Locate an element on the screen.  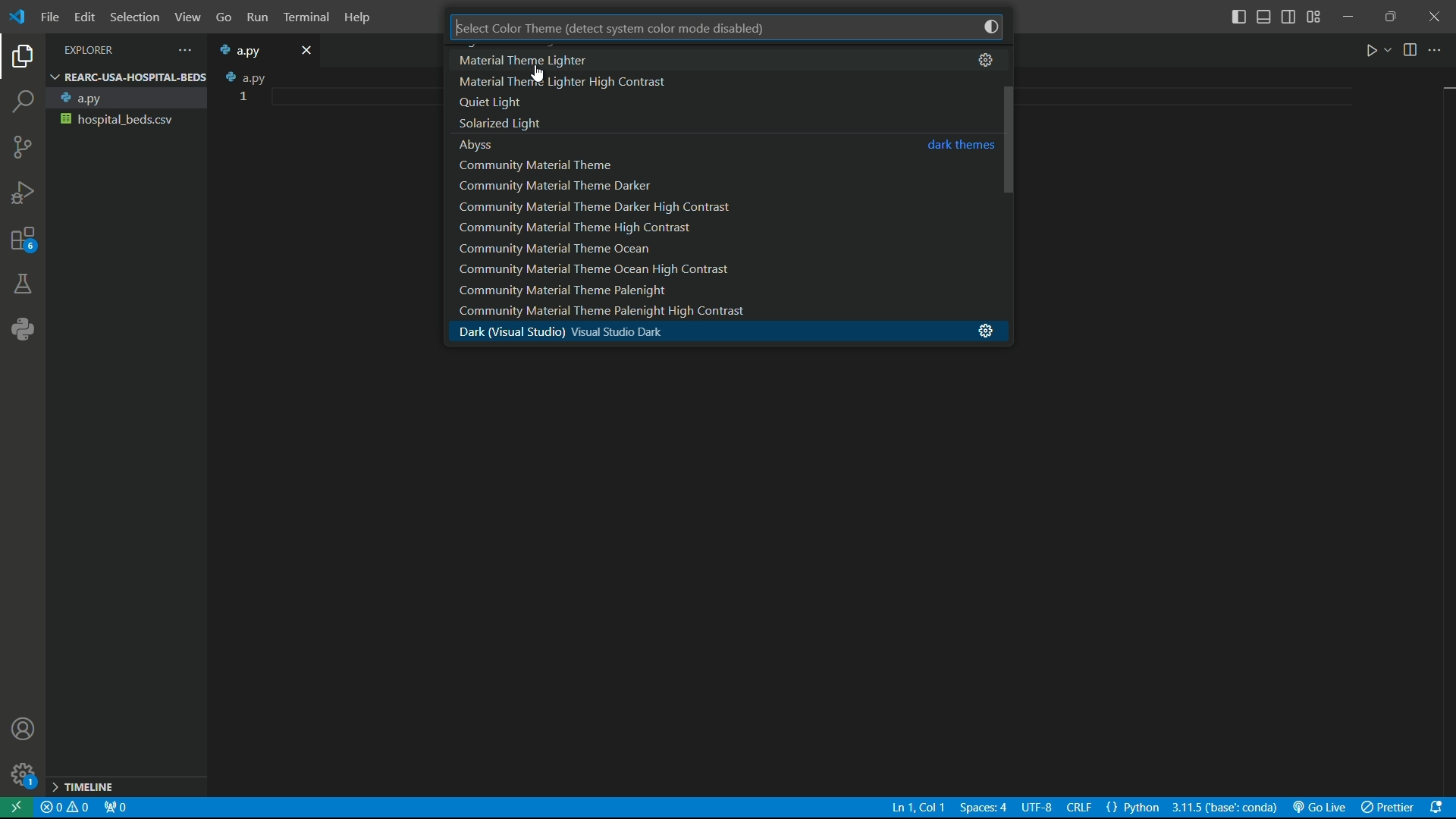
split editor right is located at coordinates (1412, 49).